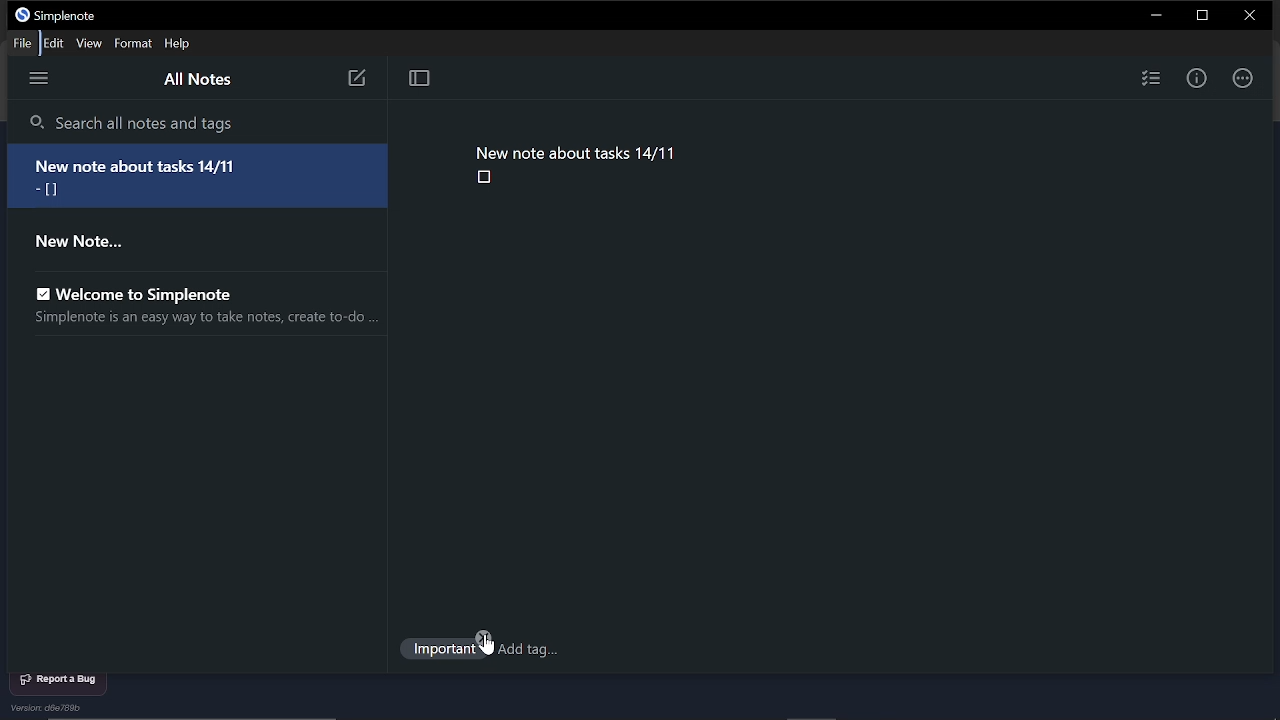  What do you see at coordinates (200, 175) in the screenshot?
I see `New note about tasks 14/11
~[` at bounding box center [200, 175].